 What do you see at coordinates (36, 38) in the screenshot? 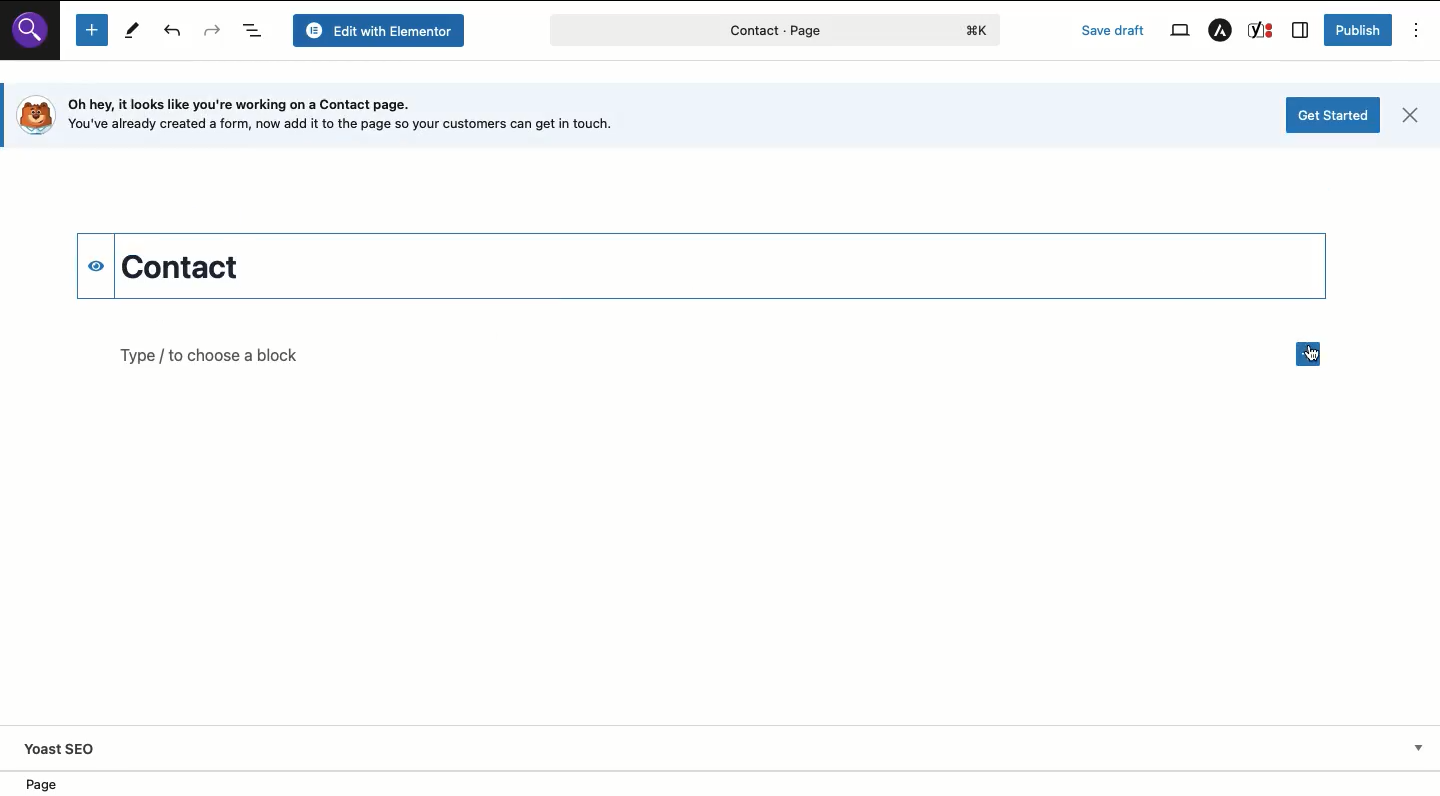
I see `search` at bounding box center [36, 38].